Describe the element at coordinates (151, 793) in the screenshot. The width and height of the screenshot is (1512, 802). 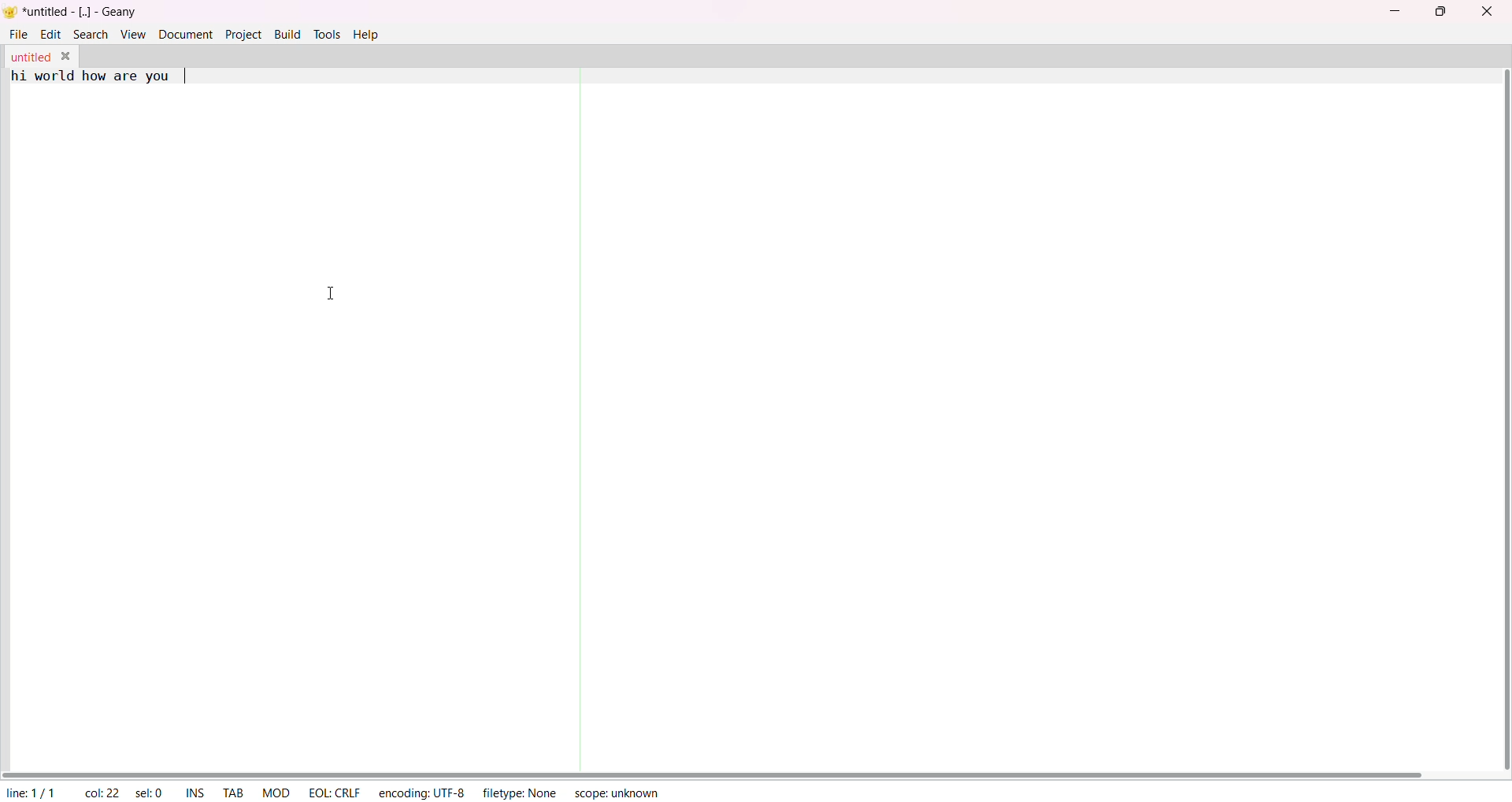
I see `sel: 0` at that location.